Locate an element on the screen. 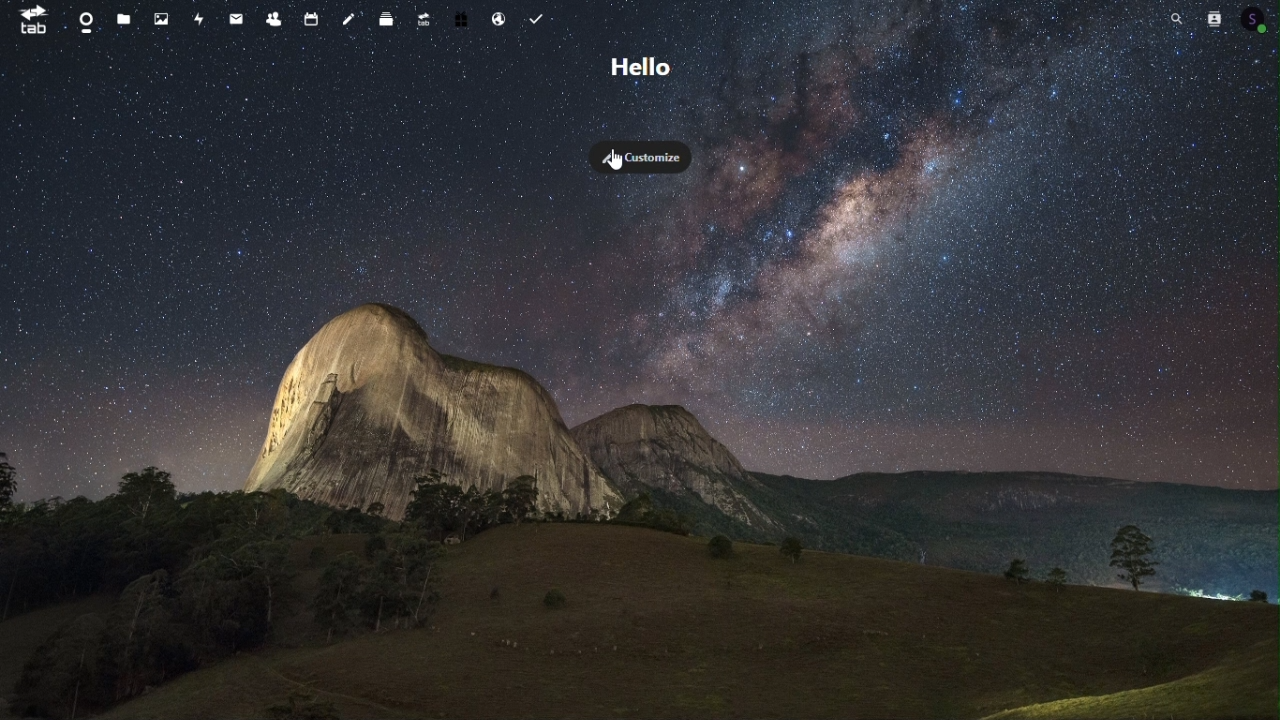 This screenshot has width=1280, height=720. Email hosting is located at coordinates (499, 18).